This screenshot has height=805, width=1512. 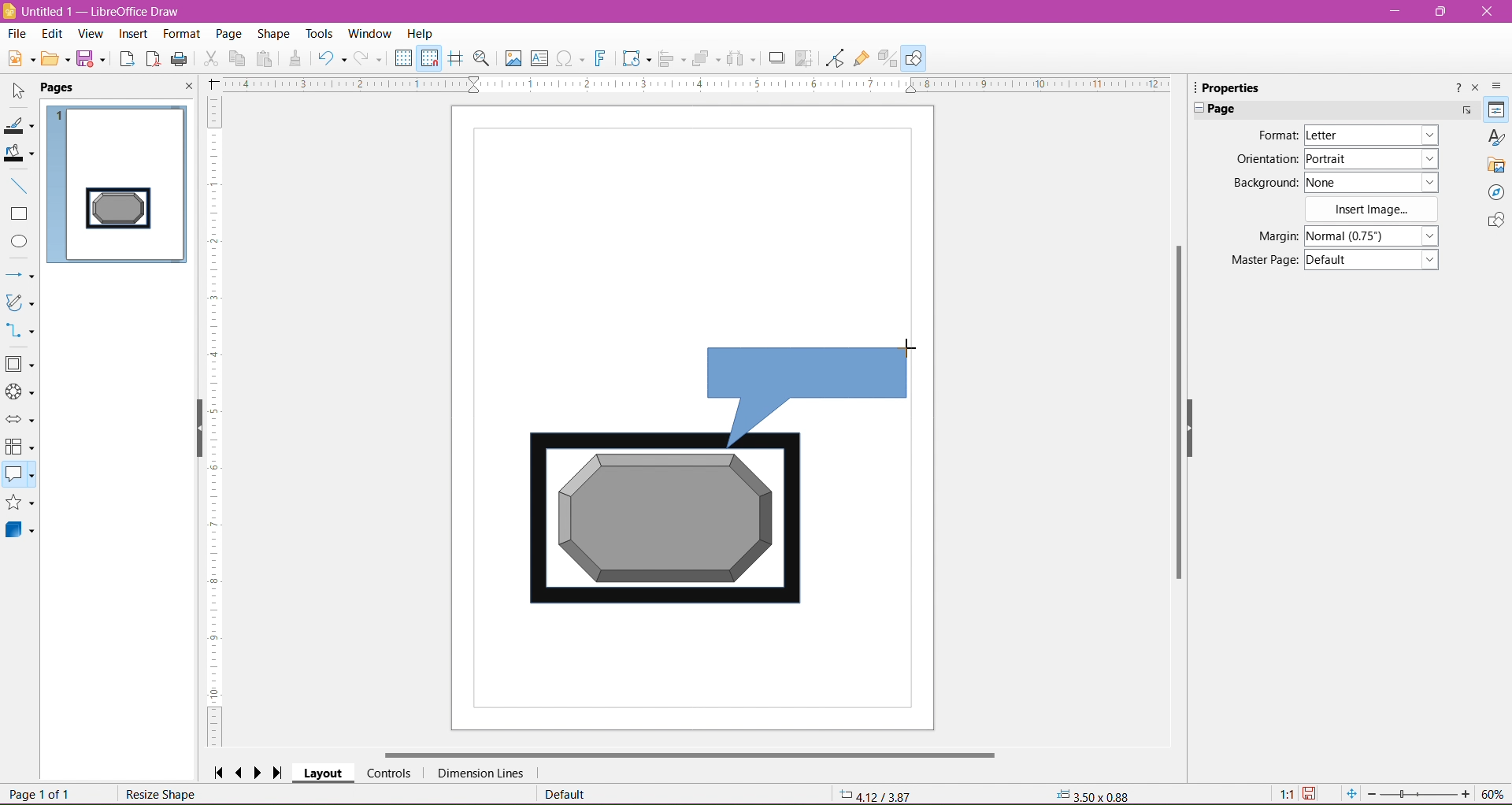 I want to click on Pages, so click(x=61, y=88).